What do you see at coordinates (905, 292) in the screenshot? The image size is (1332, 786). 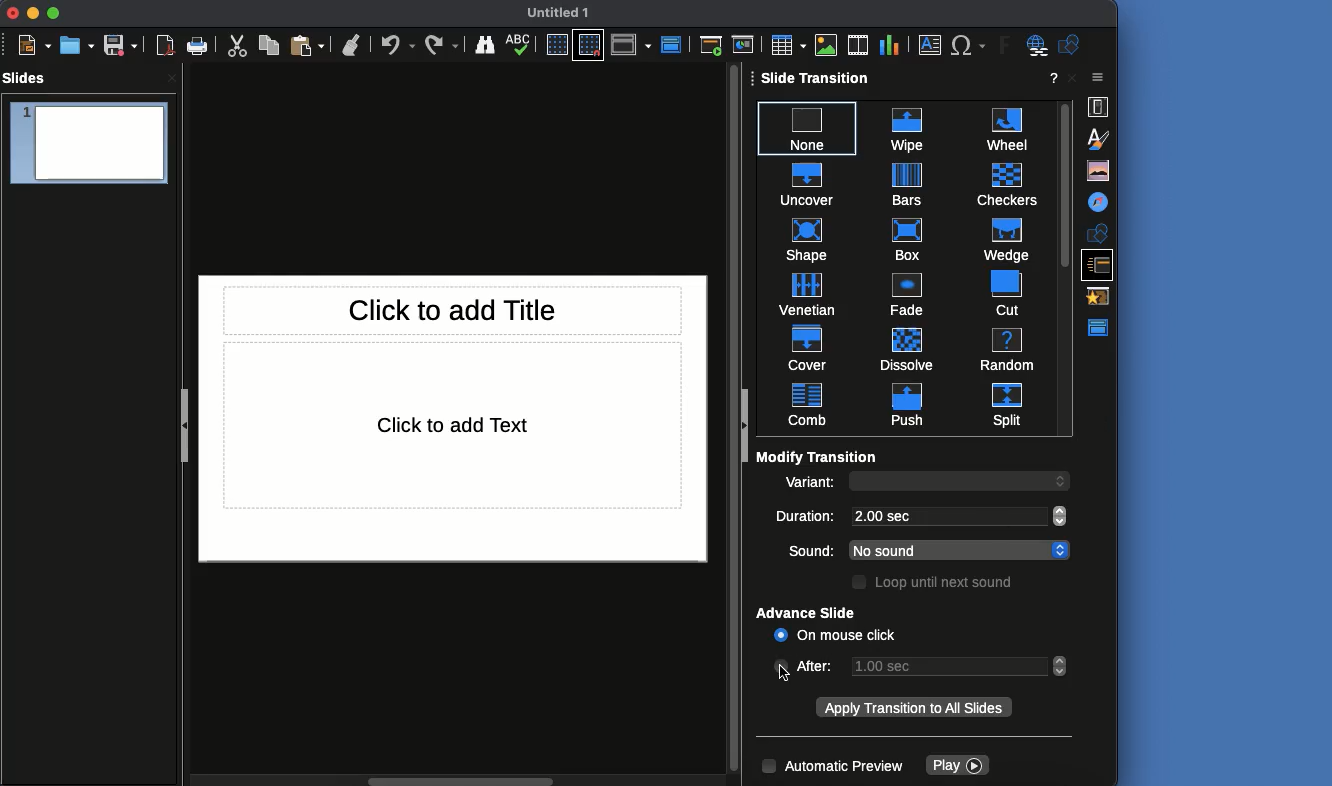 I see `fade` at bounding box center [905, 292].